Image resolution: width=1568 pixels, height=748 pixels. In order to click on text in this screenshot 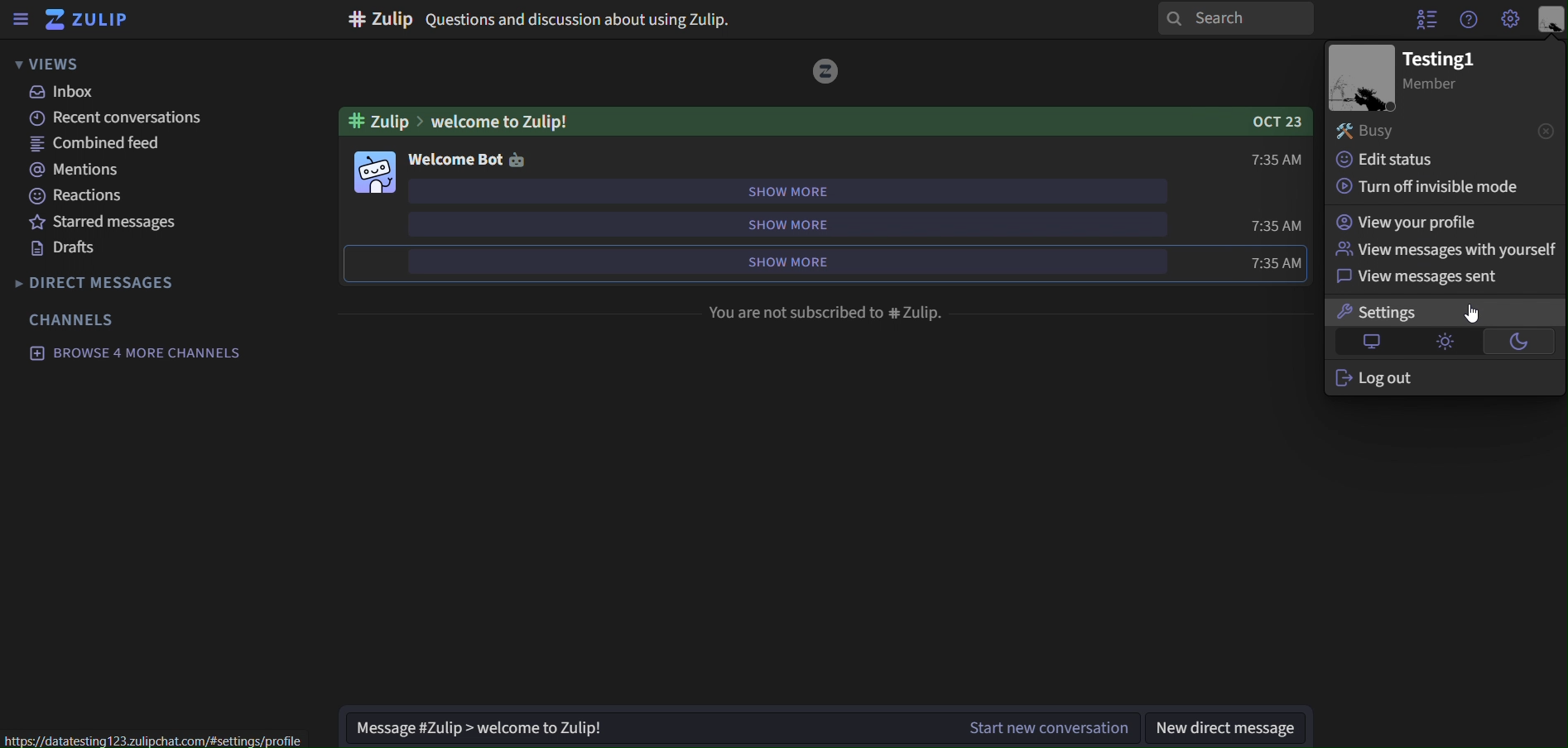, I will do `click(1444, 70)`.